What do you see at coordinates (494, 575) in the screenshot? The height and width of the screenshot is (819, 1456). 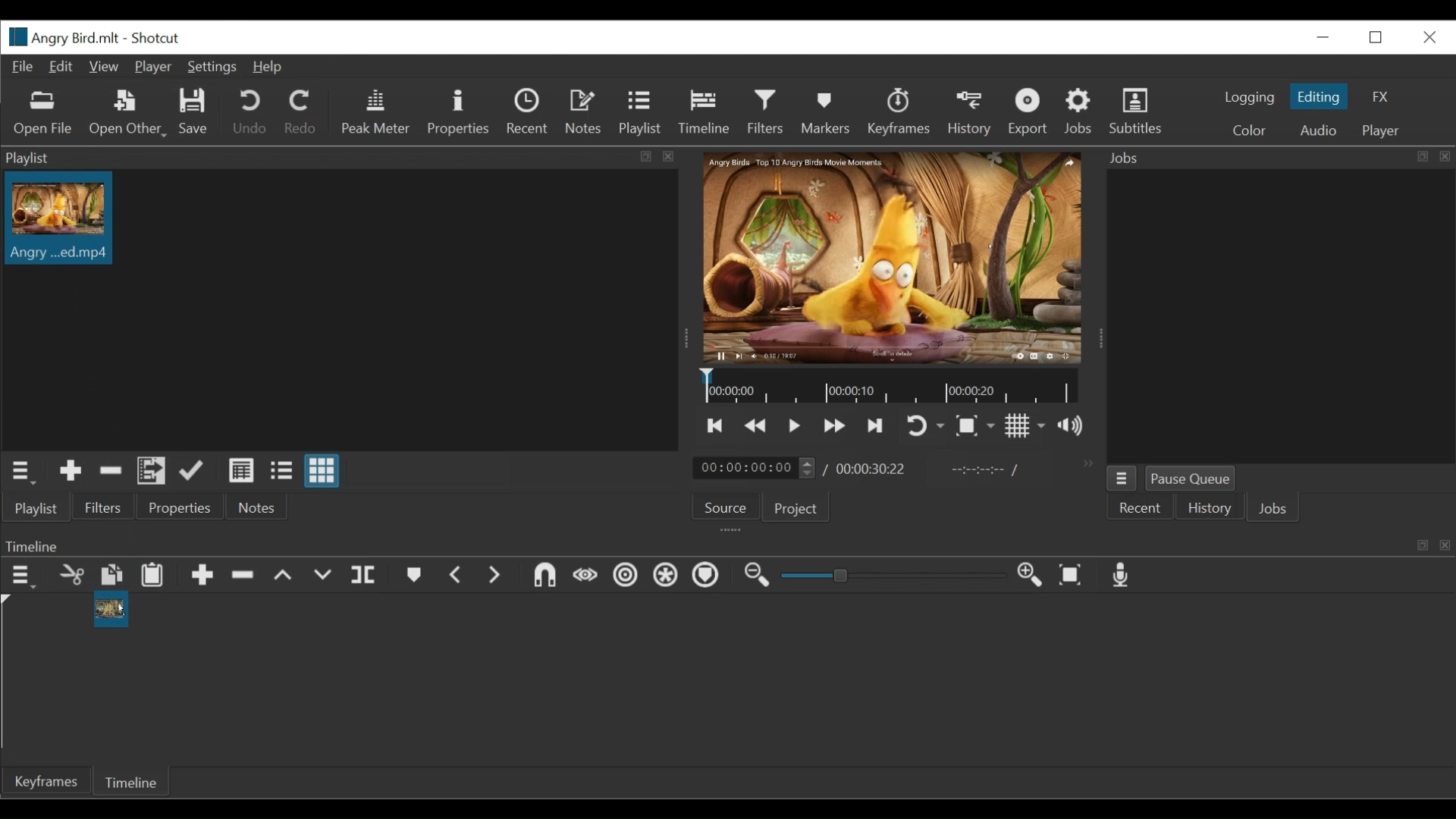 I see `next marker` at bounding box center [494, 575].